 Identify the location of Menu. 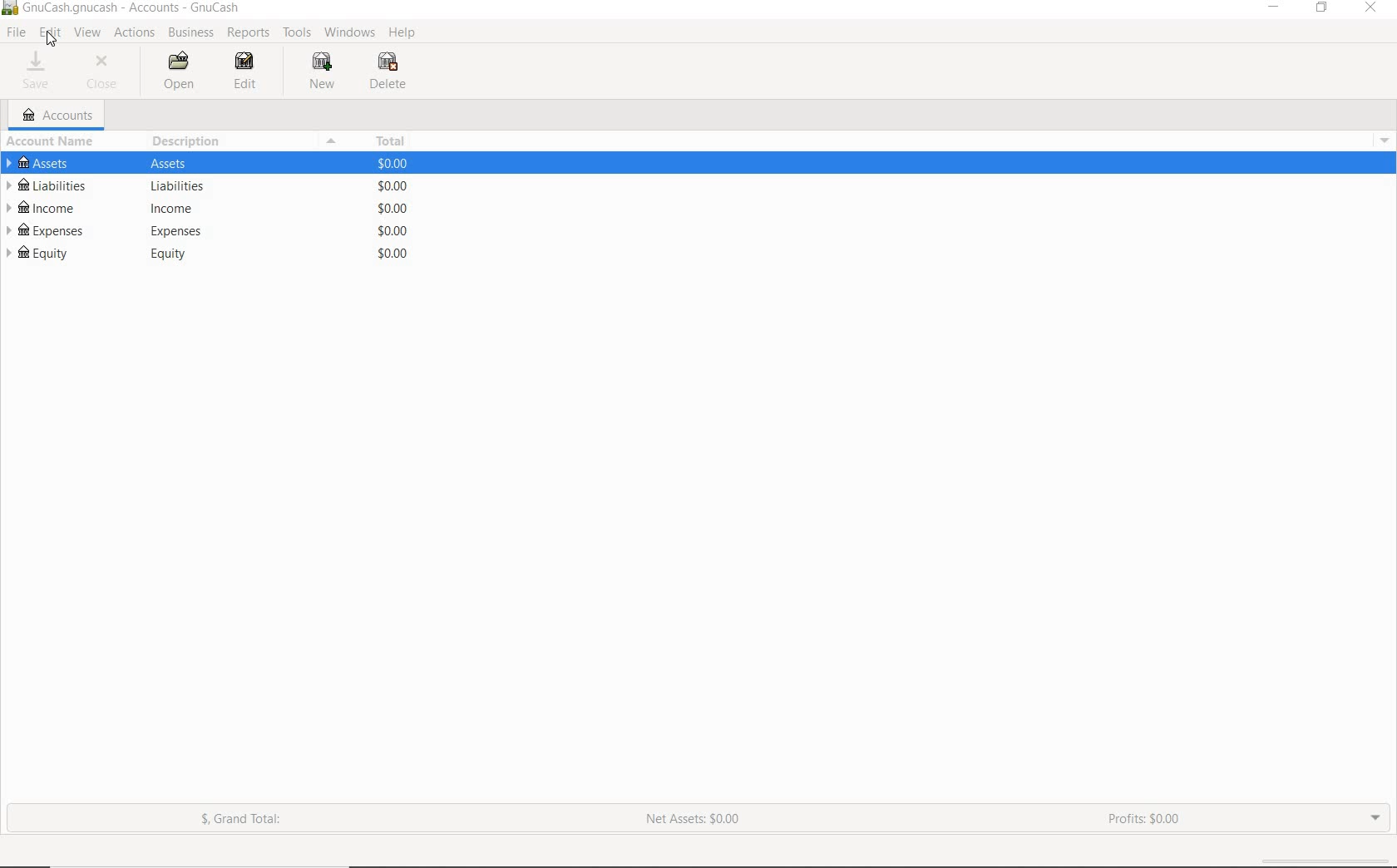
(1380, 139).